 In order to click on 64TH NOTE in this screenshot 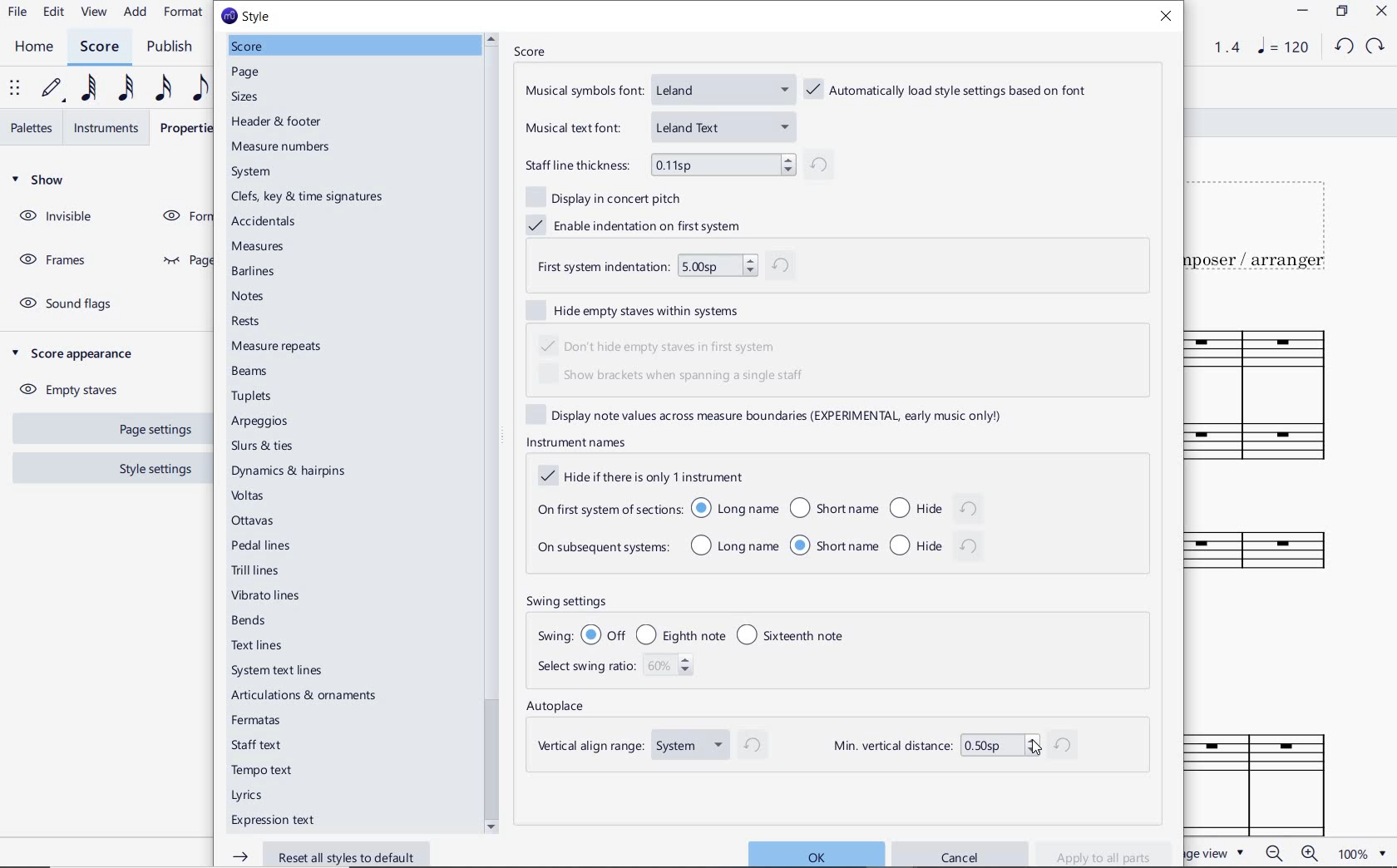, I will do `click(91, 88)`.